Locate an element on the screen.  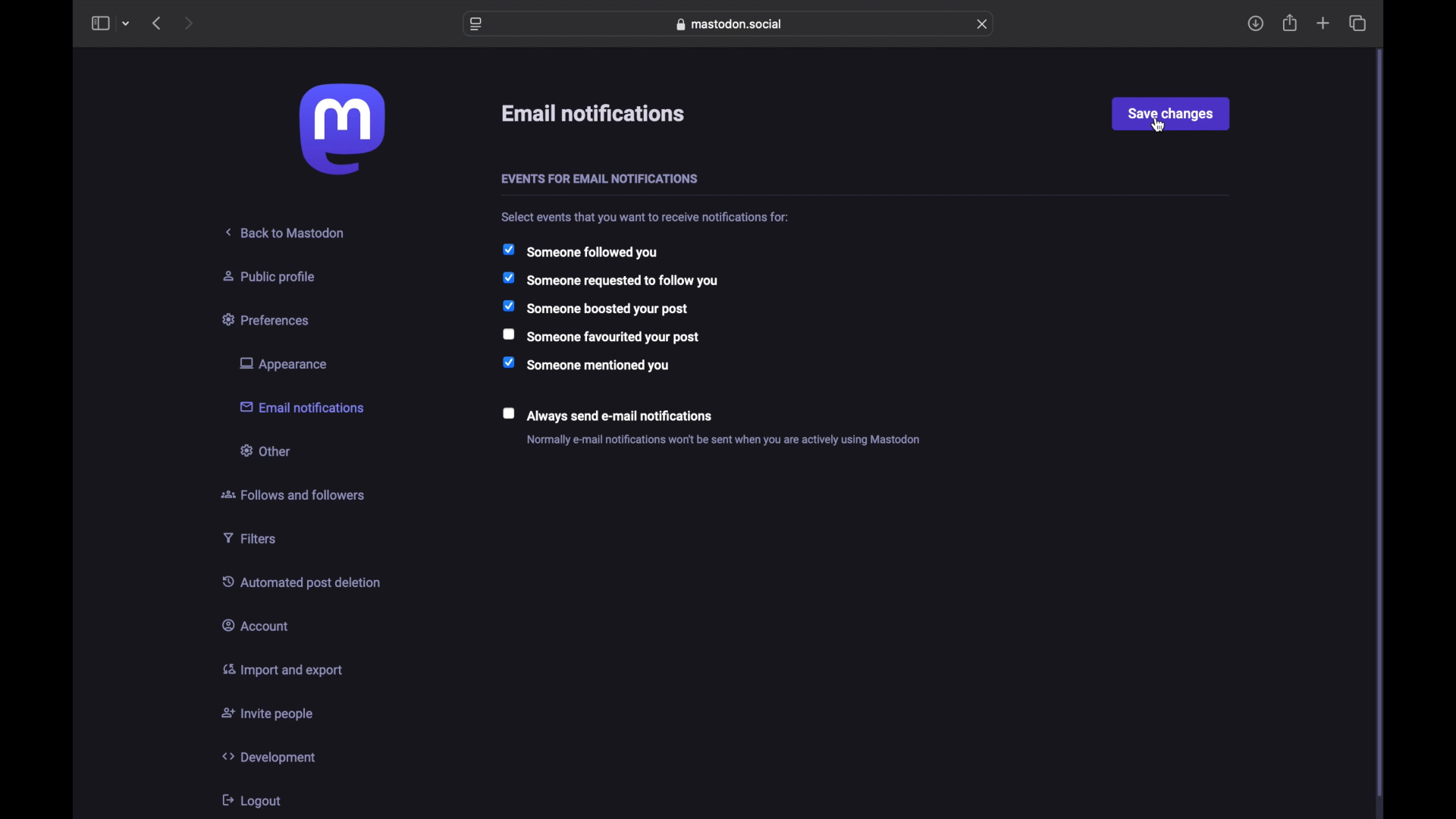
mastodon logo is located at coordinates (342, 129).